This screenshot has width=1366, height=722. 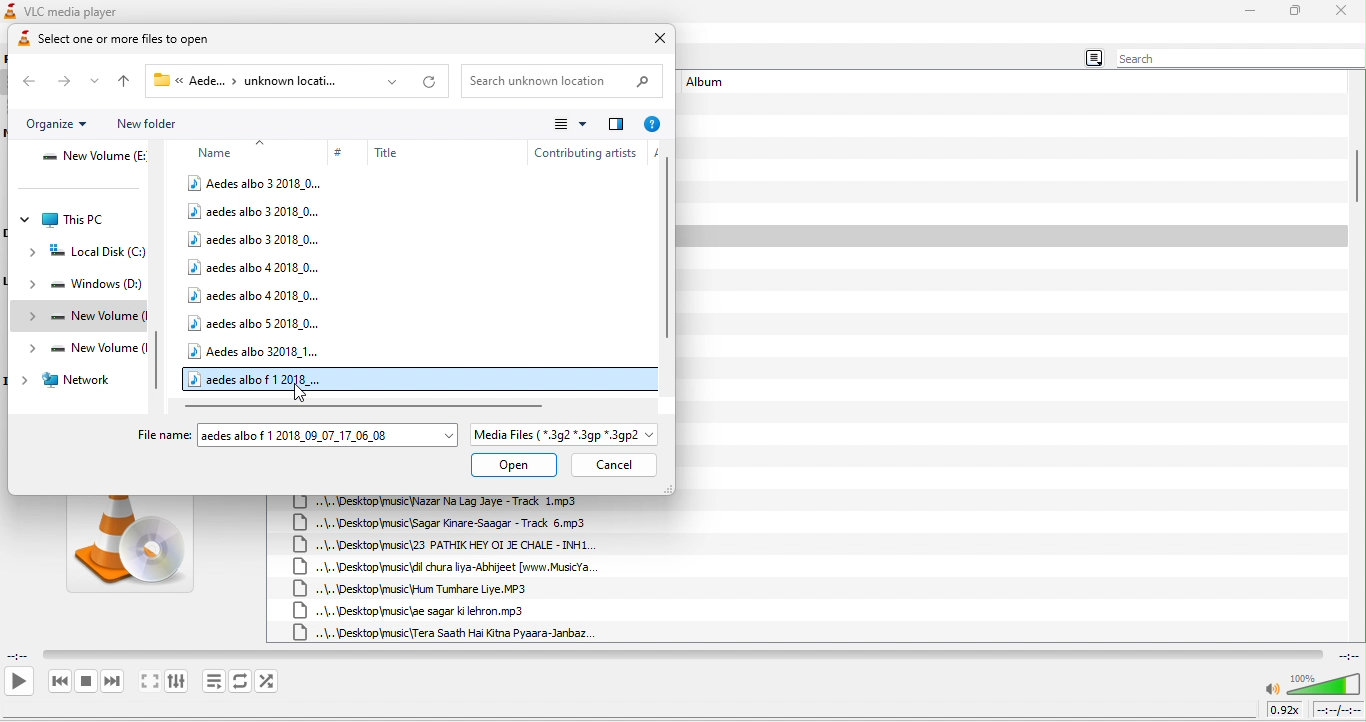 I want to click on stop playback, so click(x=87, y=681).